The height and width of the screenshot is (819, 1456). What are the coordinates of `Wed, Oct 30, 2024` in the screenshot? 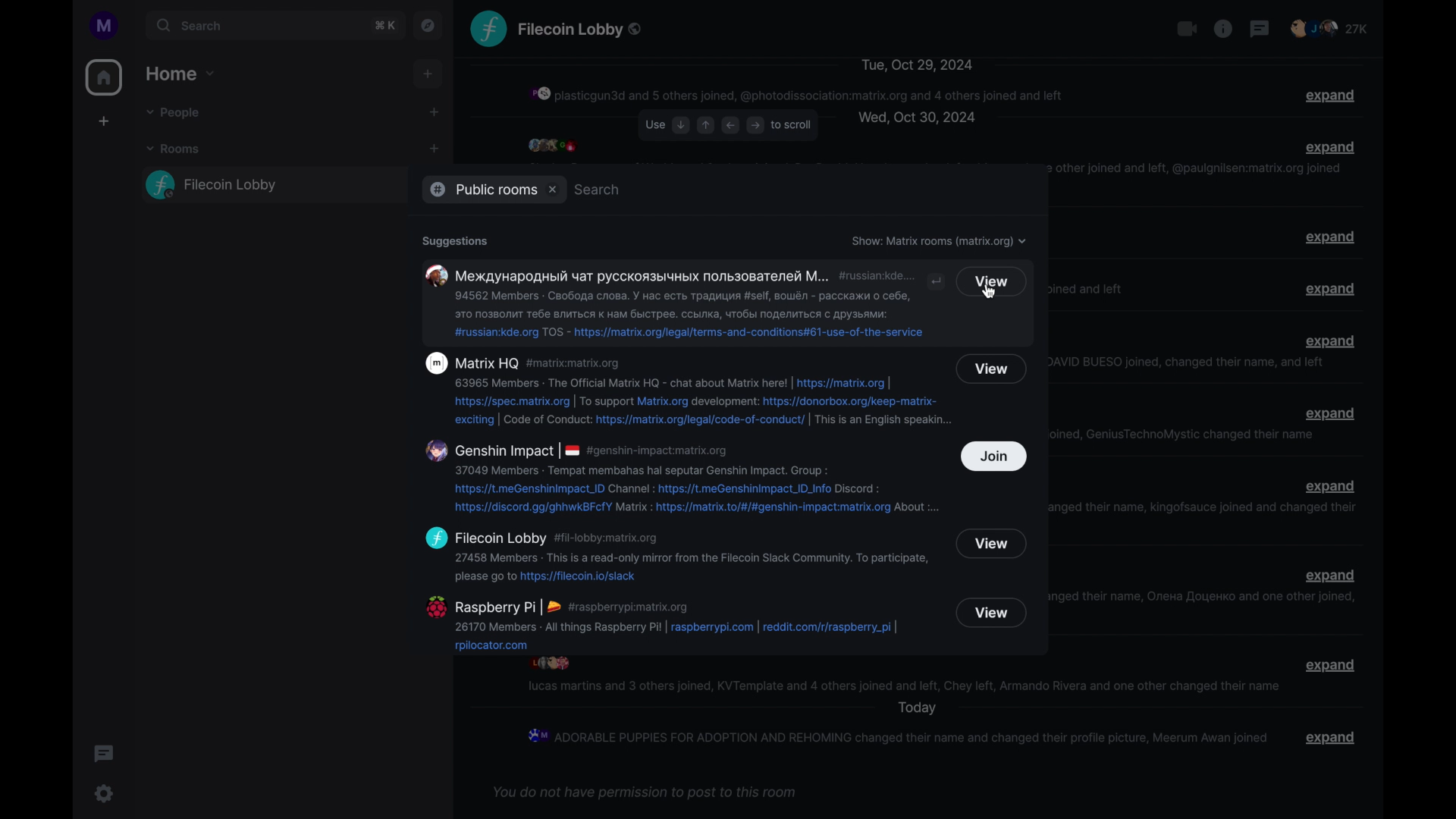 It's located at (916, 118).